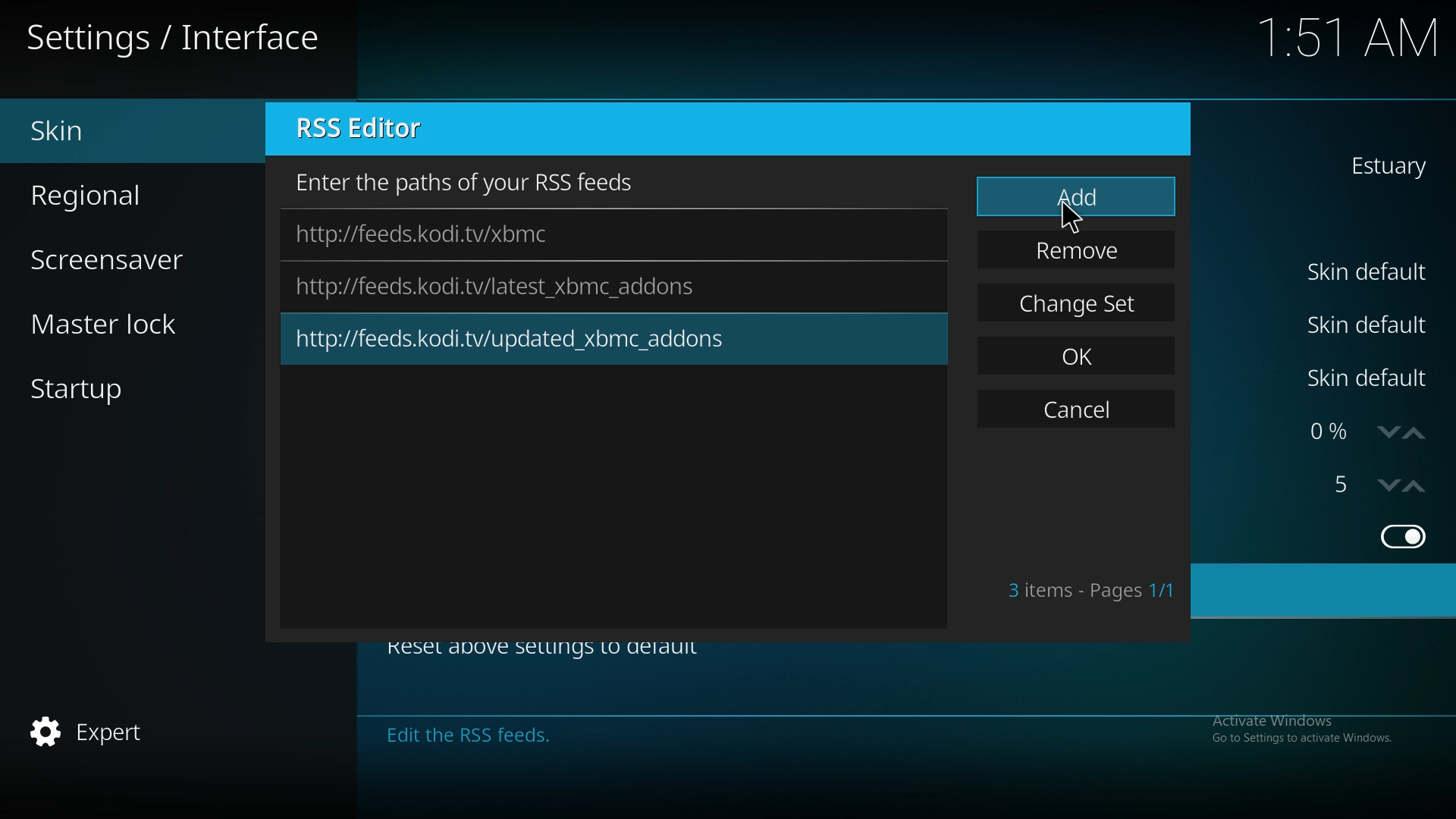 Image resolution: width=1456 pixels, height=819 pixels. I want to click on show rss feeds, so click(1401, 536).